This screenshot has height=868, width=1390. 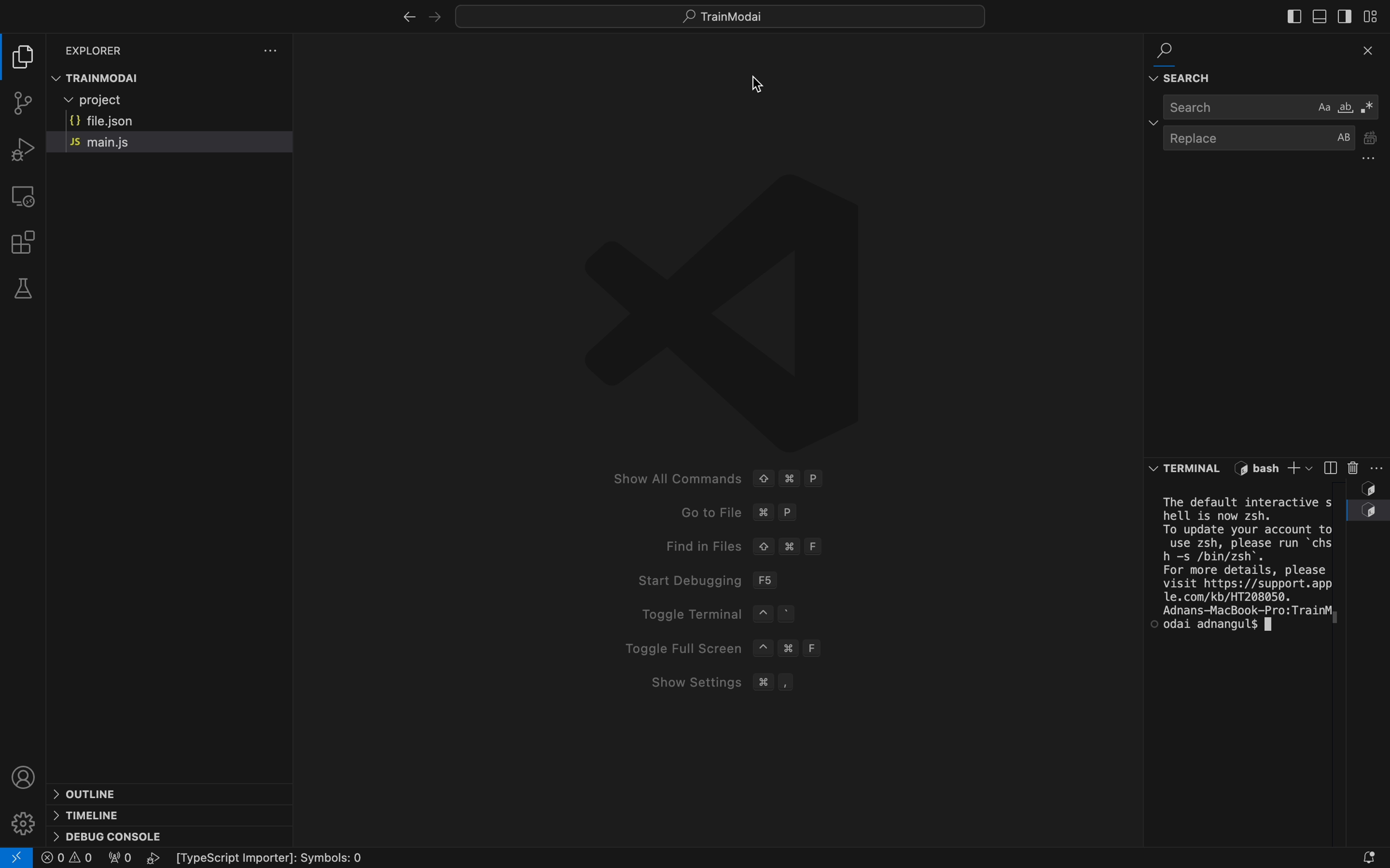 What do you see at coordinates (773, 580) in the screenshot?
I see `Strat debugging` at bounding box center [773, 580].